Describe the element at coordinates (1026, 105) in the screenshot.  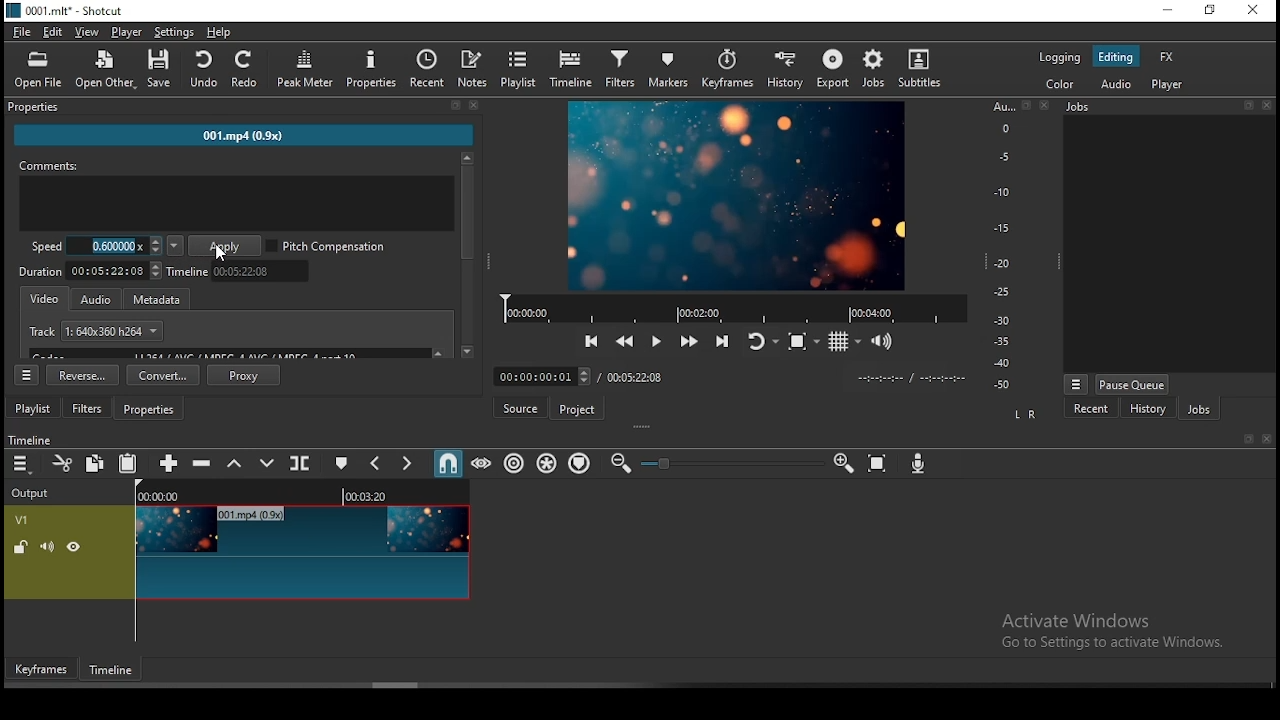
I see `Detach` at that location.